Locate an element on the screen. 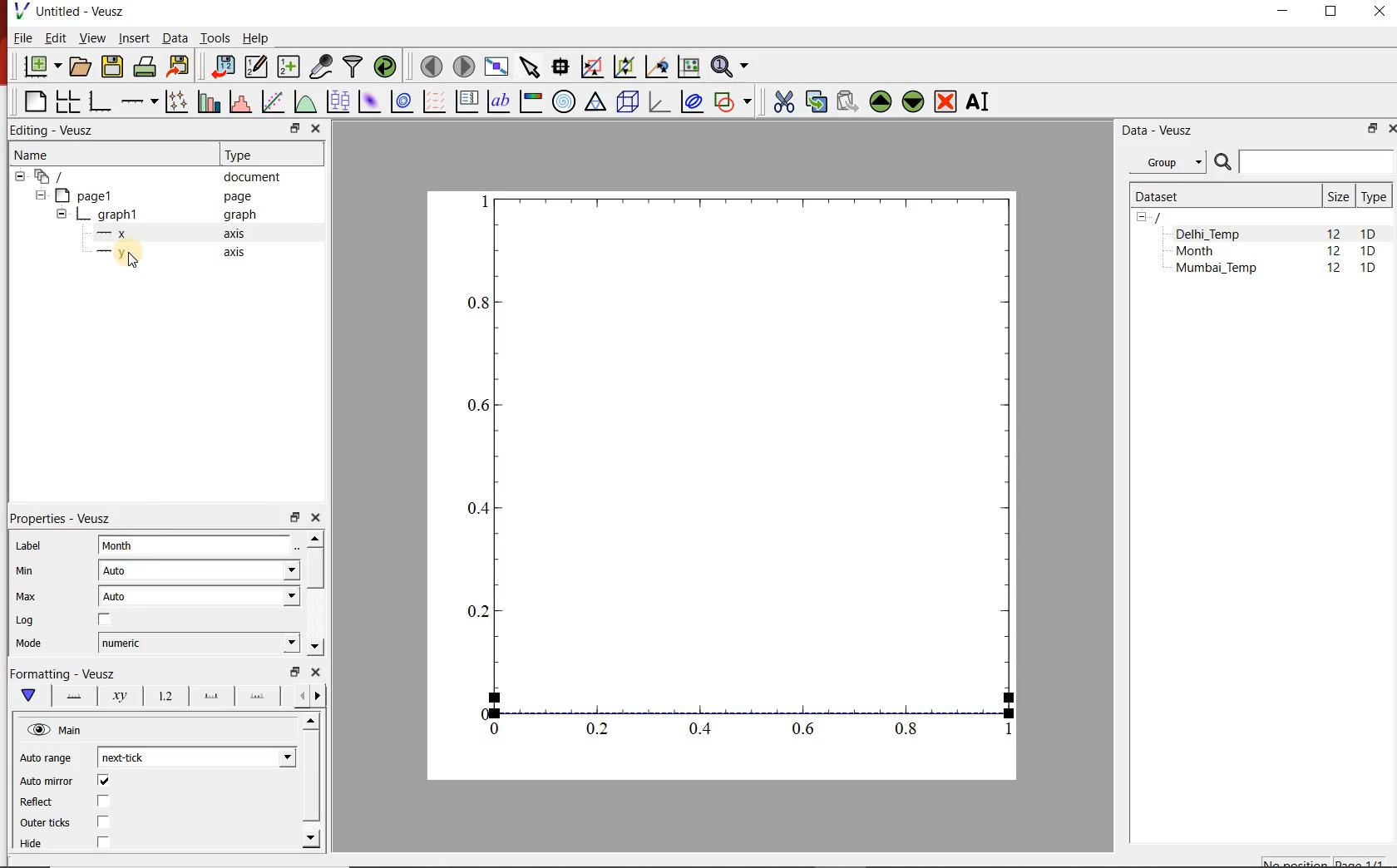 This screenshot has height=868, width=1397. image color bar is located at coordinates (531, 101).